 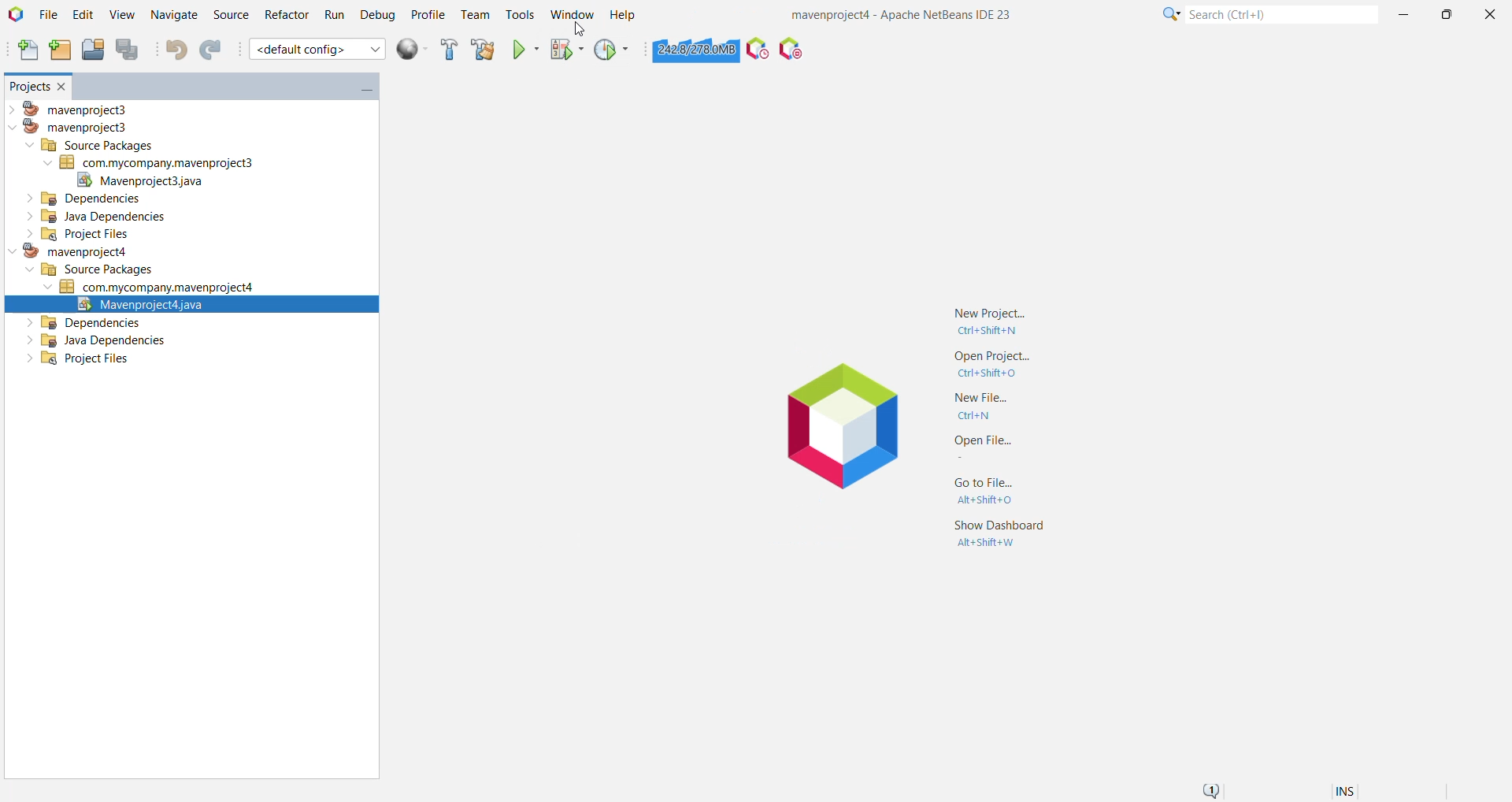 What do you see at coordinates (1405, 16) in the screenshot?
I see `Minimize` at bounding box center [1405, 16].